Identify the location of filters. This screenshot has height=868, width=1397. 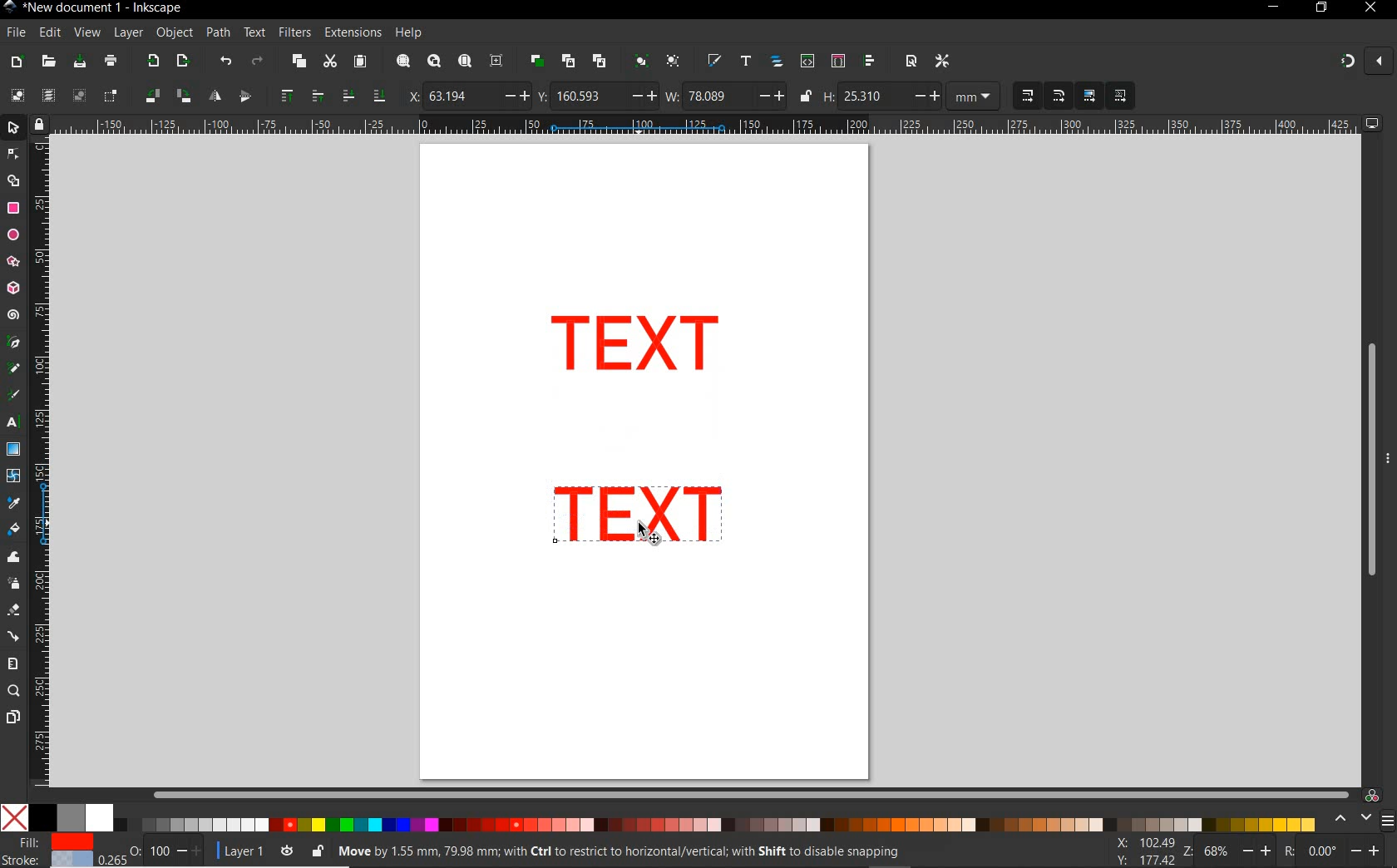
(294, 32).